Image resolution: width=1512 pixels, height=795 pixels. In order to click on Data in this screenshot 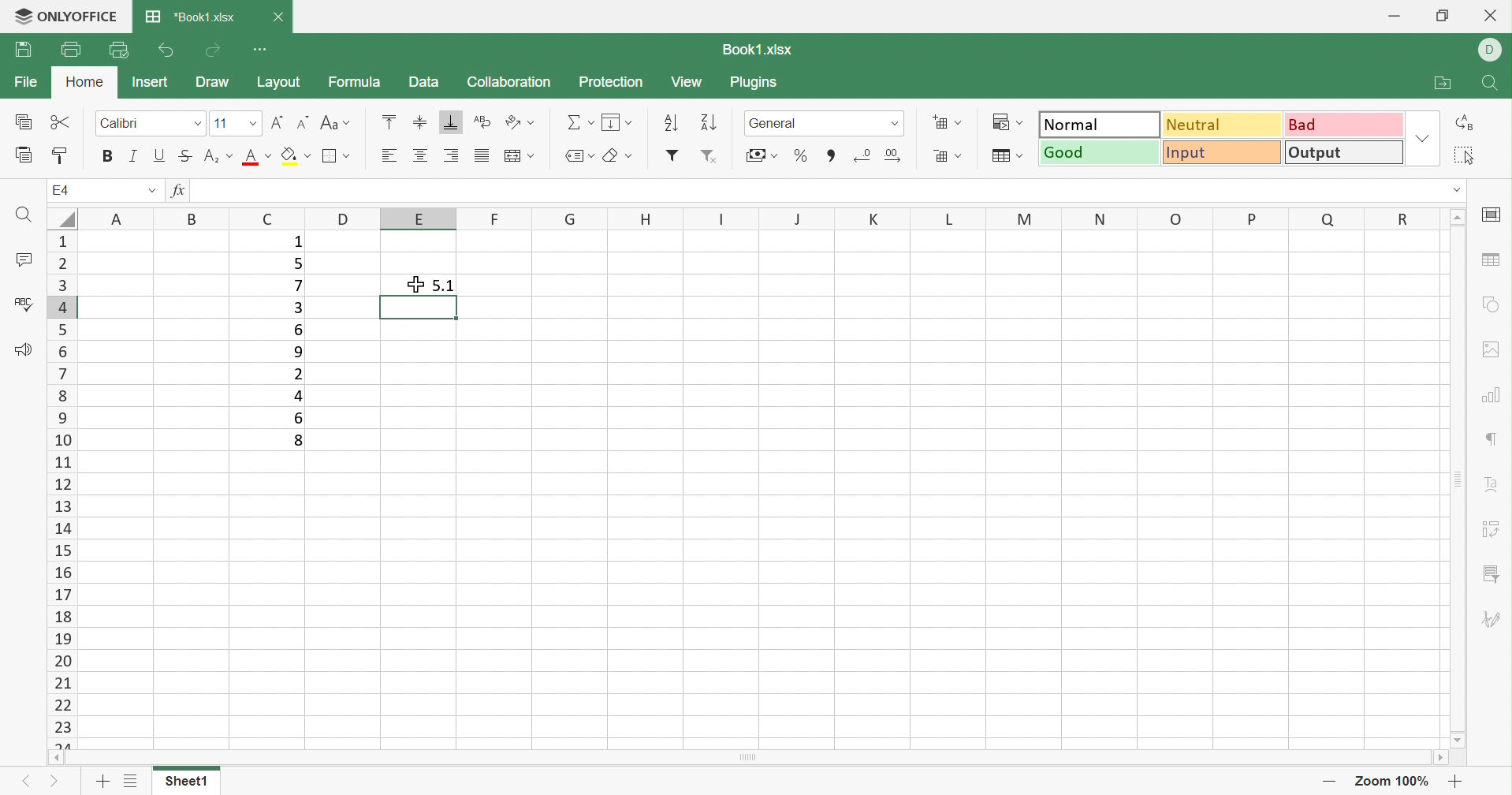, I will do `click(427, 82)`.